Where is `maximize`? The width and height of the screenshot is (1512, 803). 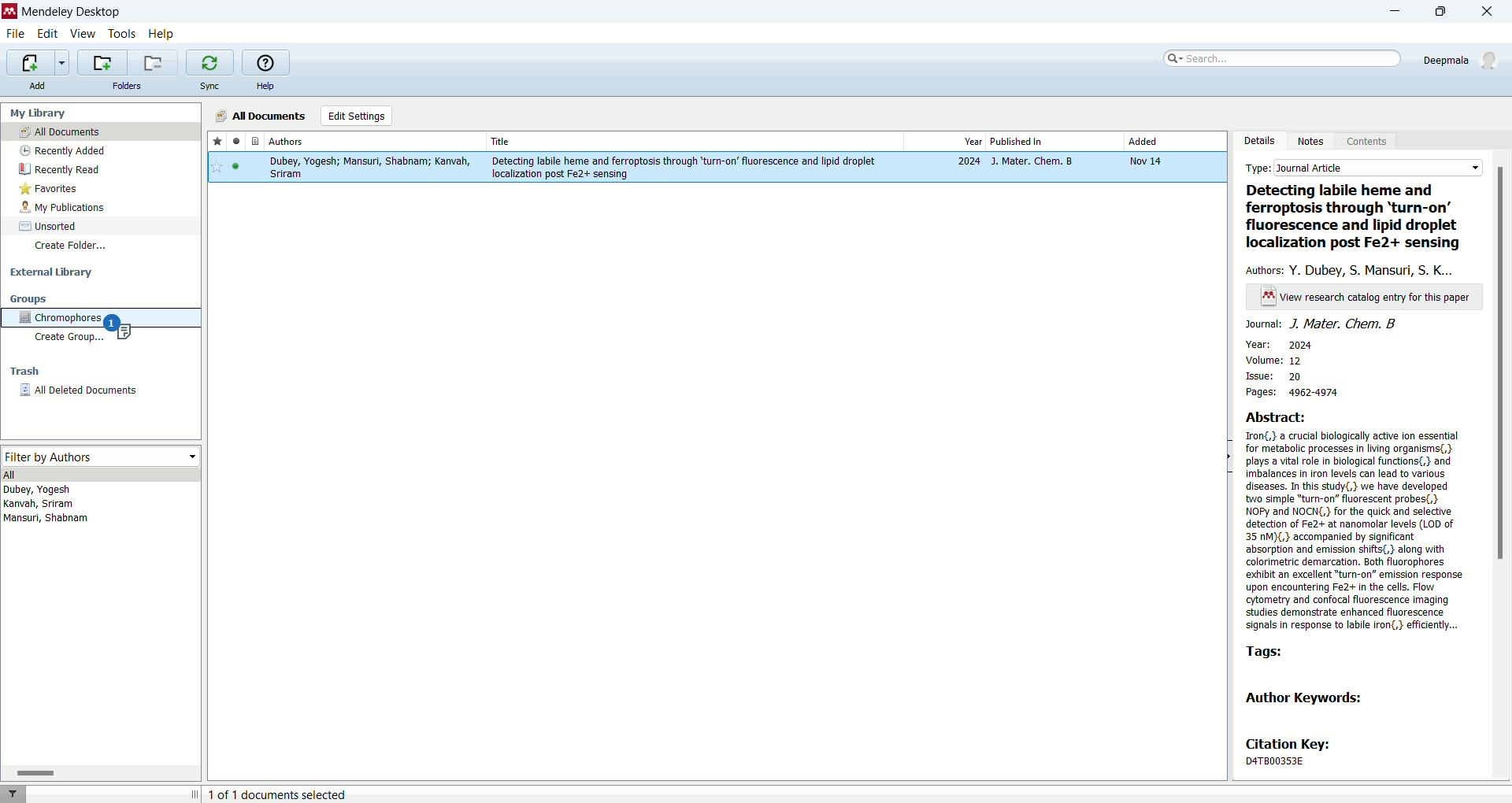
maximize is located at coordinates (1442, 11).